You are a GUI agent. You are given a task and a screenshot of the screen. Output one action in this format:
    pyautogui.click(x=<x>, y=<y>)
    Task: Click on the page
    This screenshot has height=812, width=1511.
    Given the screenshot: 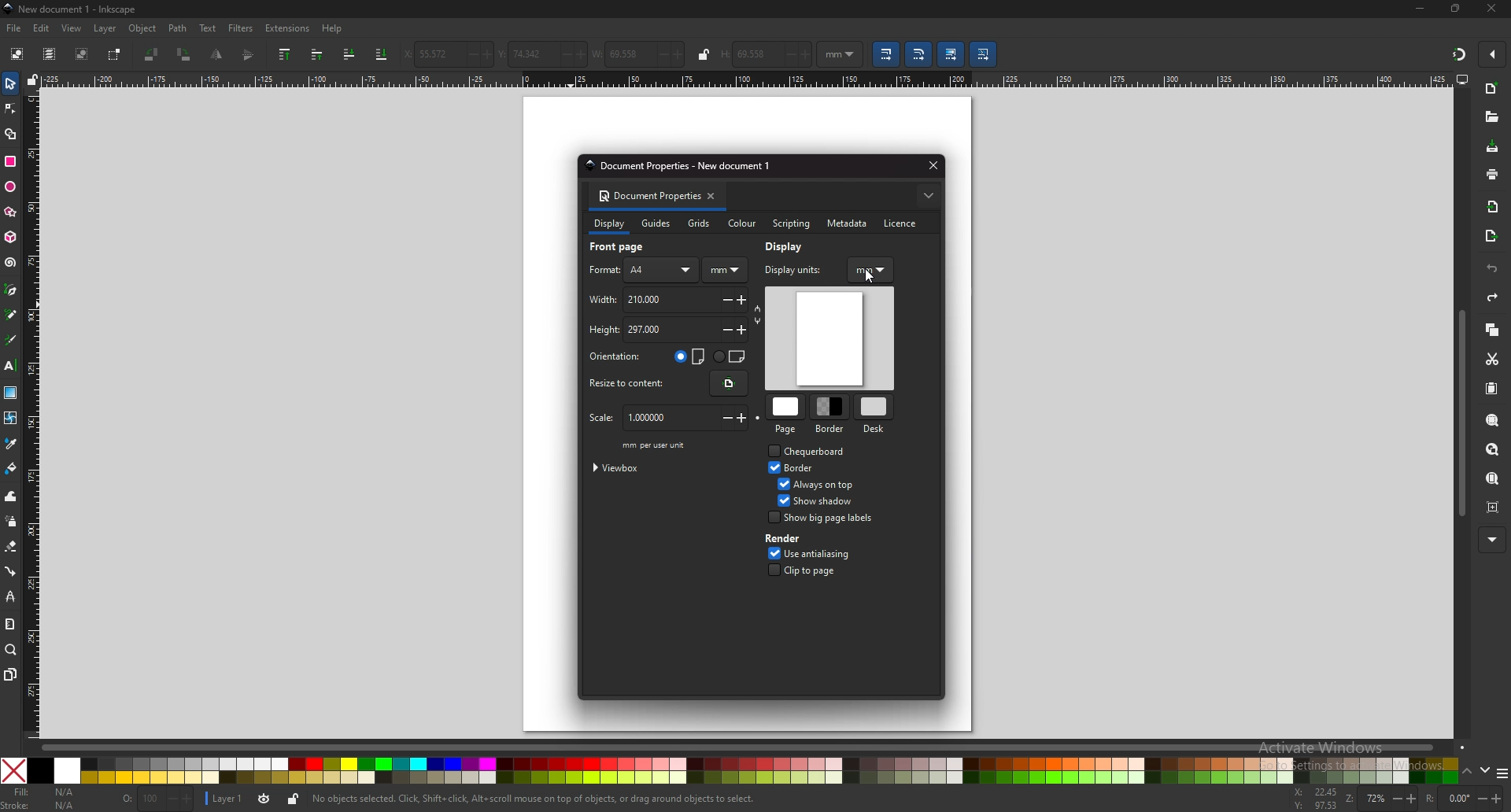 What is the action you would take?
    pyautogui.click(x=787, y=416)
    